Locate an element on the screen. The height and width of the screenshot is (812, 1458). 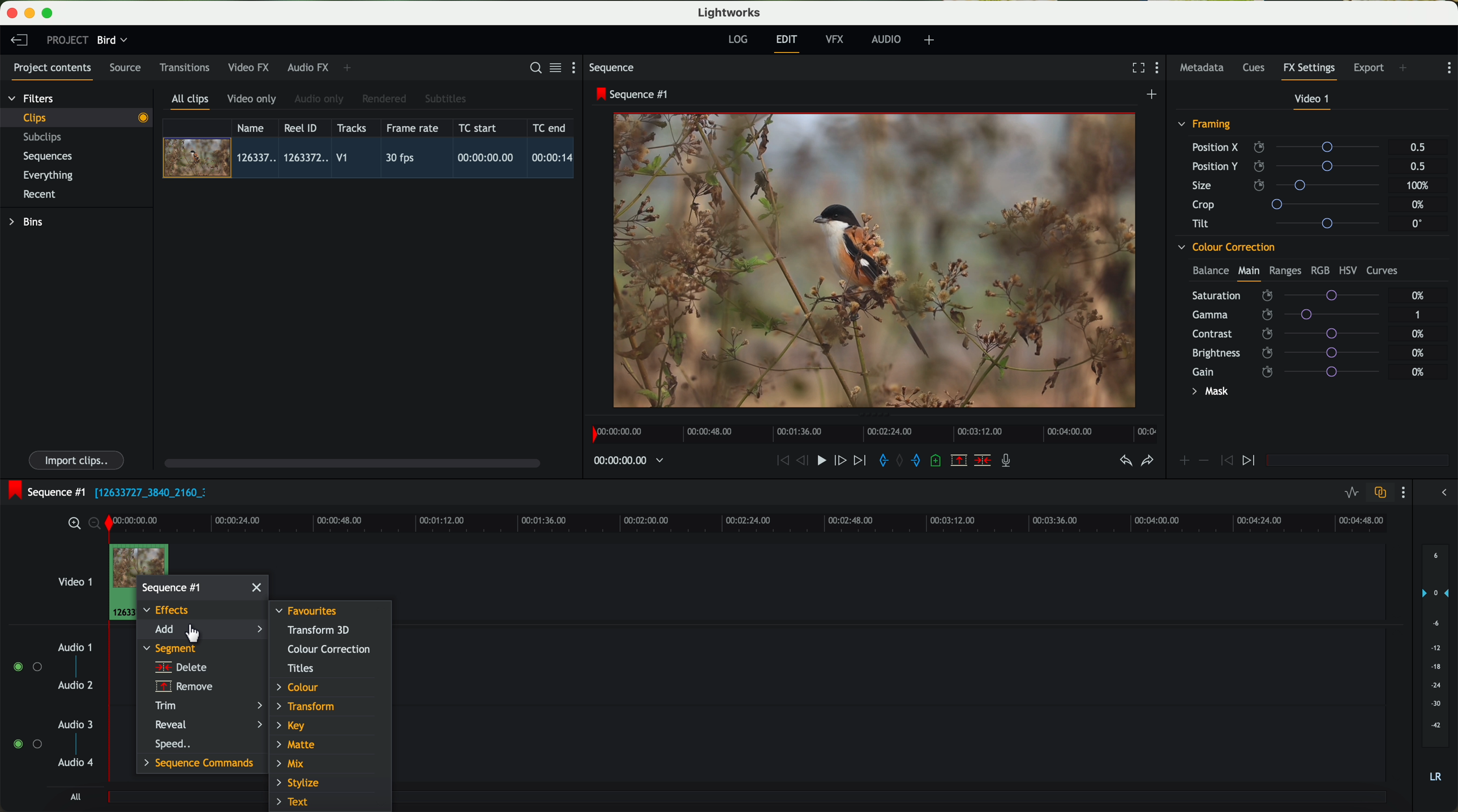
trim is located at coordinates (208, 705).